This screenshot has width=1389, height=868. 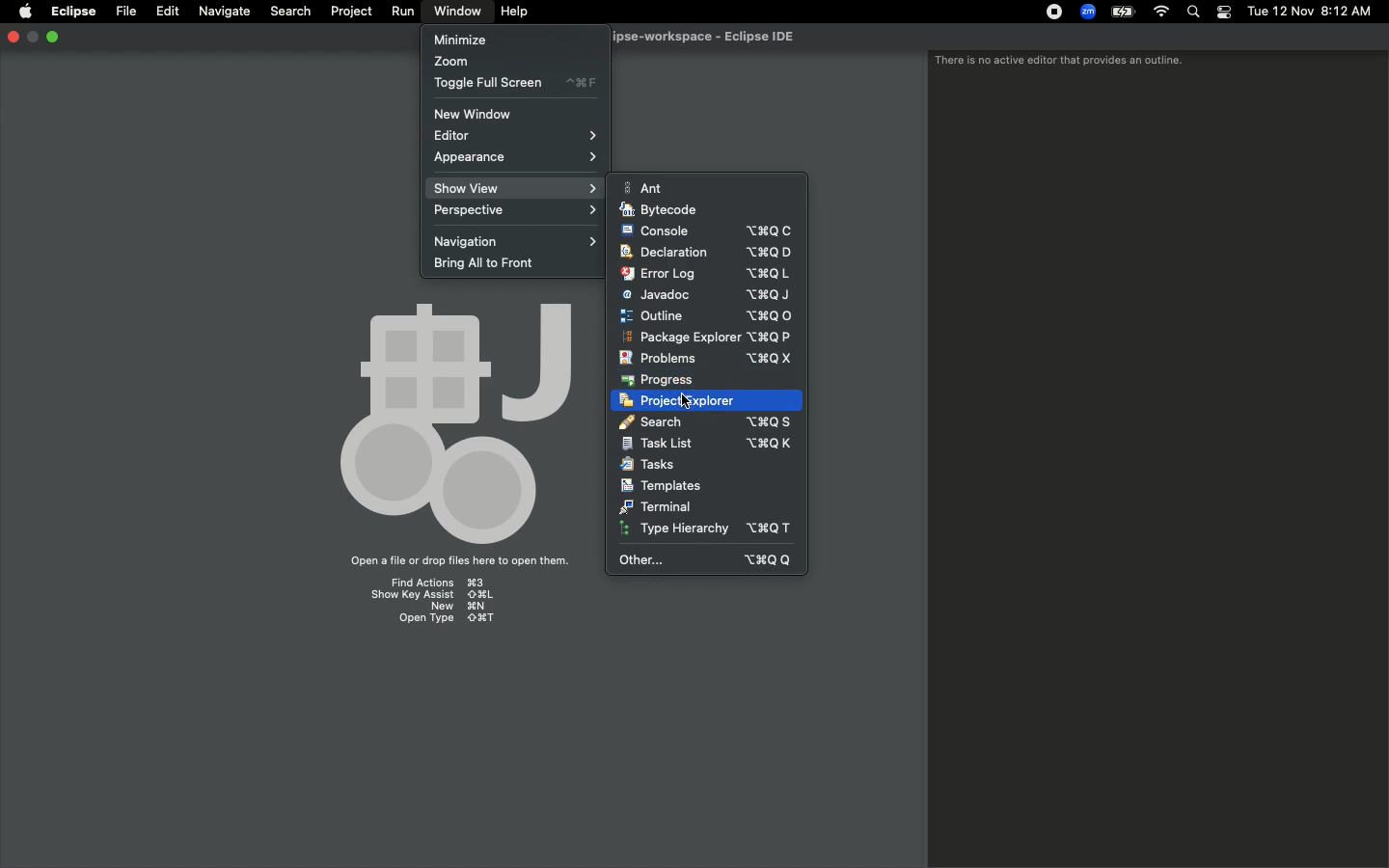 I want to click on File, so click(x=125, y=10).